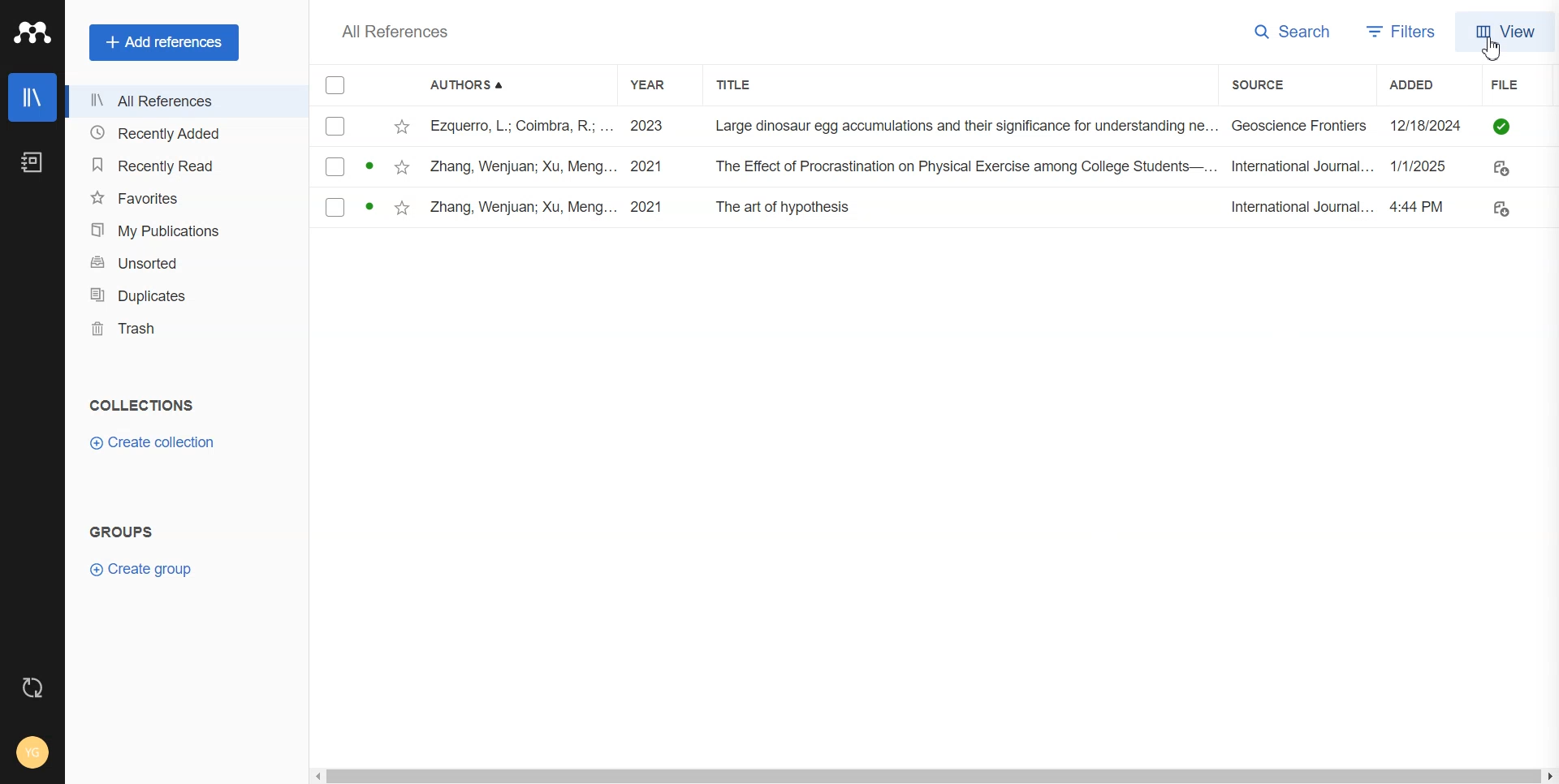 The width and height of the screenshot is (1559, 784). I want to click on Recently Added, so click(171, 132).